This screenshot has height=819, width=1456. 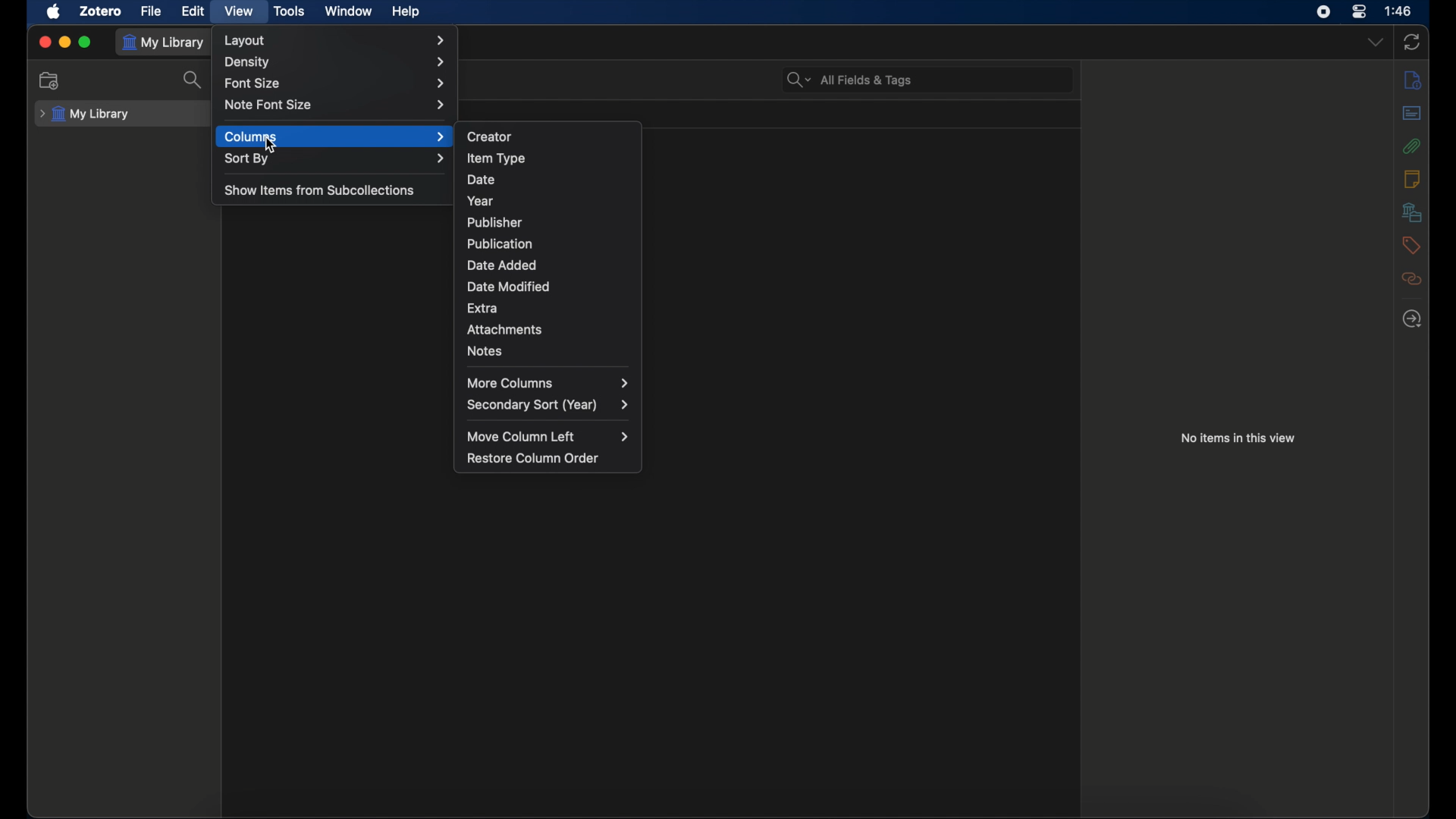 What do you see at coordinates (495, 222) in the screenshot?
I see `publisher` at bounding box center [495, 222].